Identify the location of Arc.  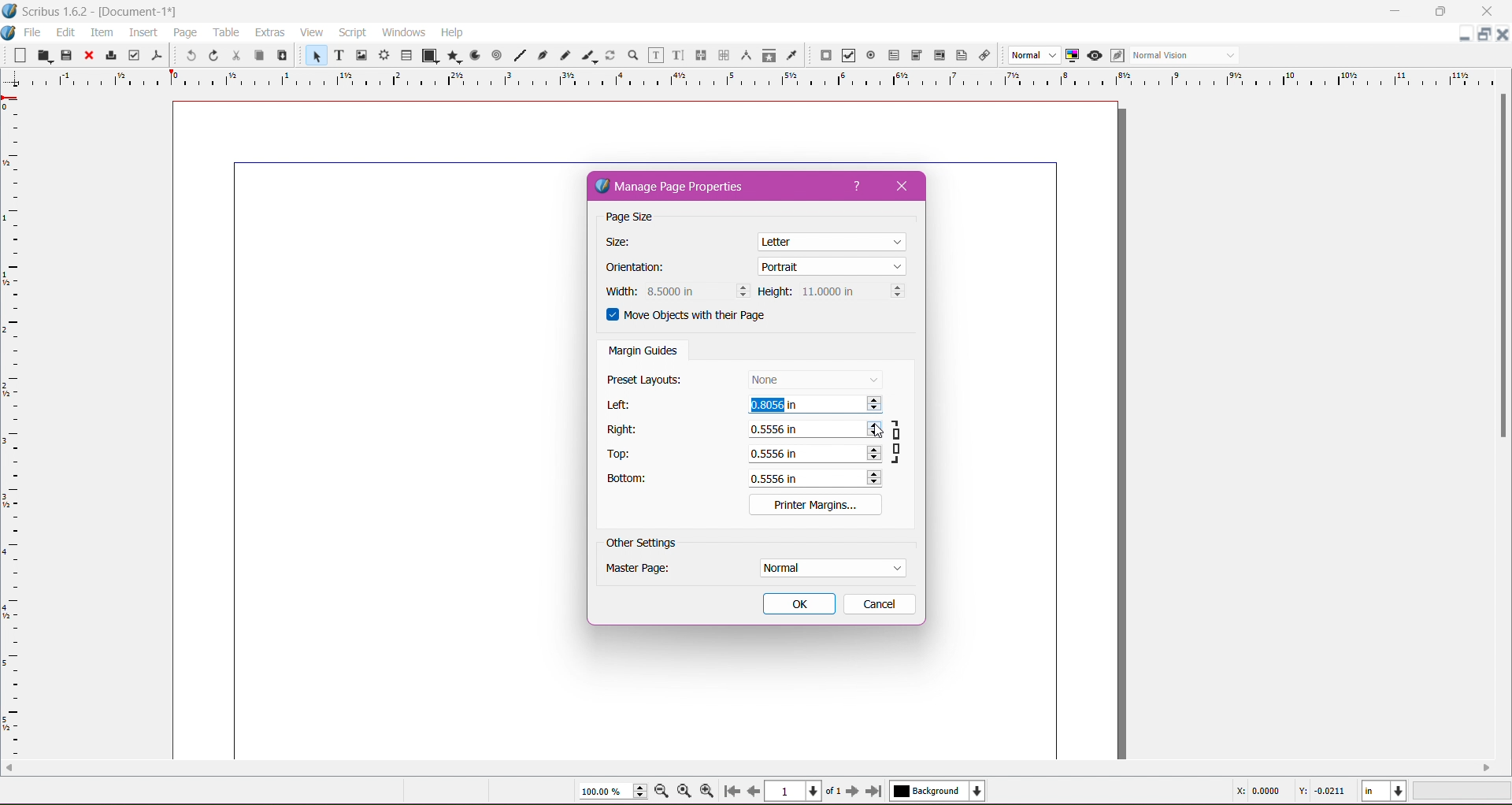
(474, 55).